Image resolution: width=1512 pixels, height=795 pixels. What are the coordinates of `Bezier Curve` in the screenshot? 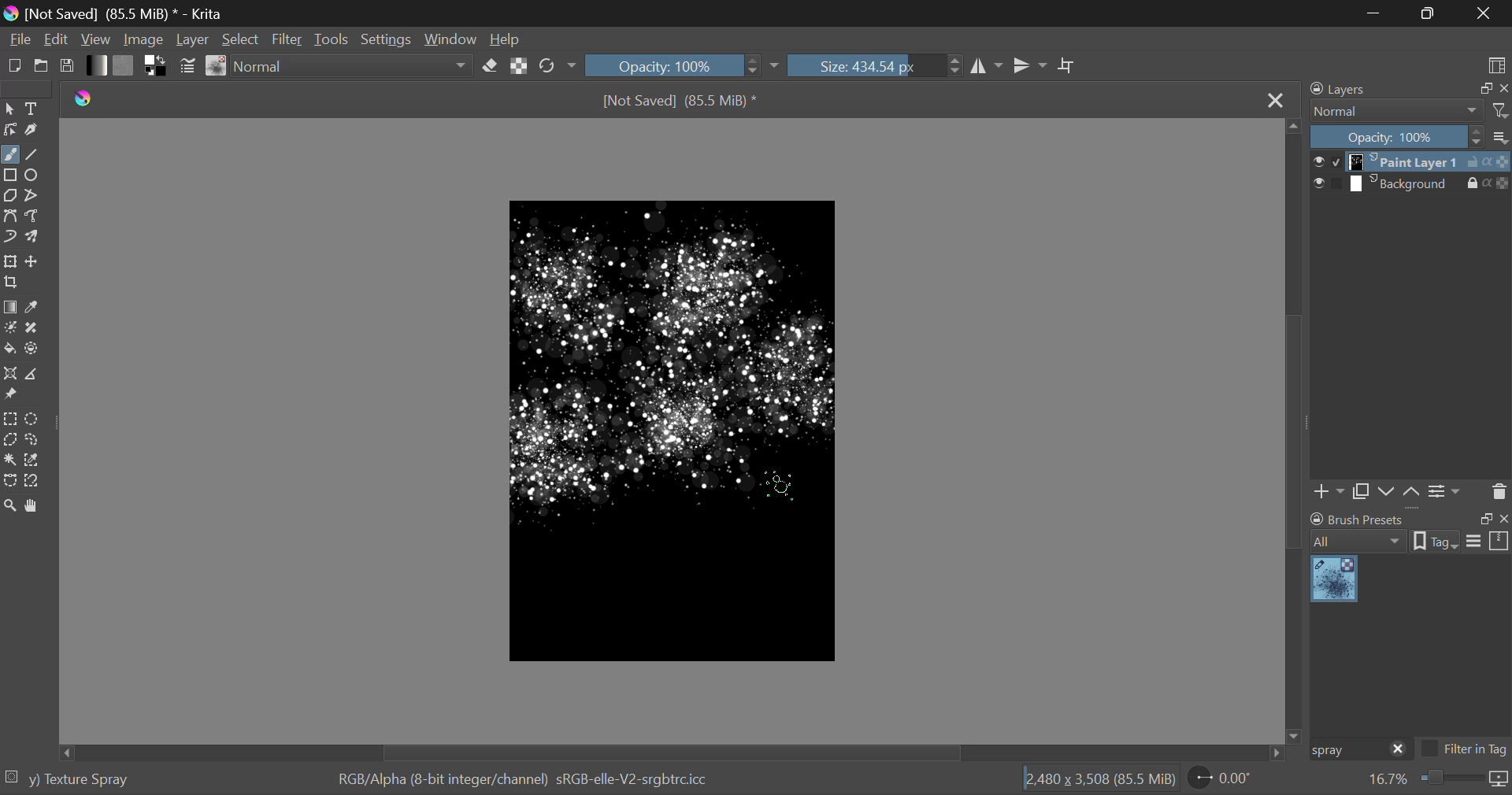 It's located at (9, 215).